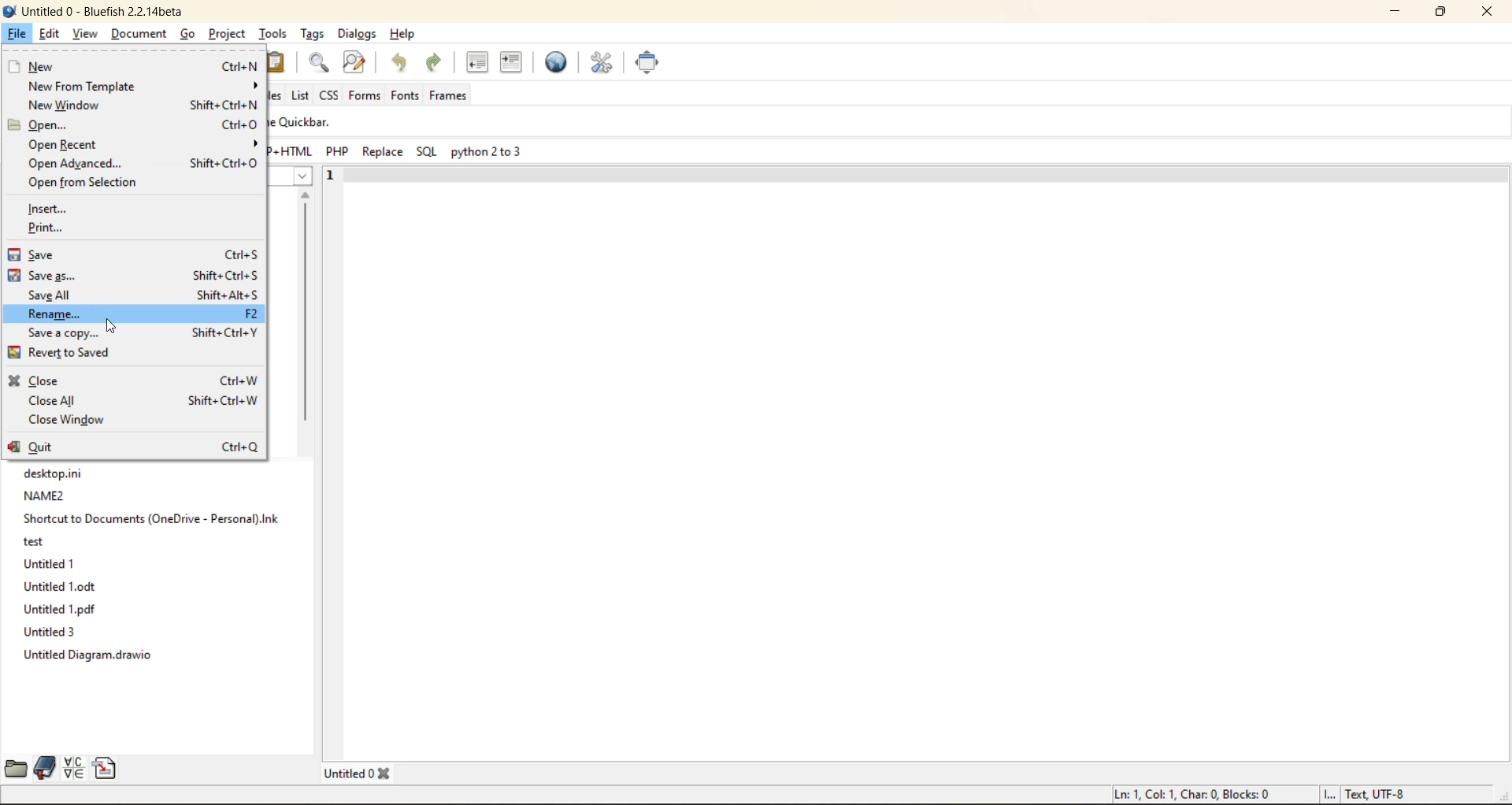 The height and width of the screenshot is (805, 1512). Describe the element at coordinates (239, 446) in the screenshot. I see `ctrl+Q ` at that location.